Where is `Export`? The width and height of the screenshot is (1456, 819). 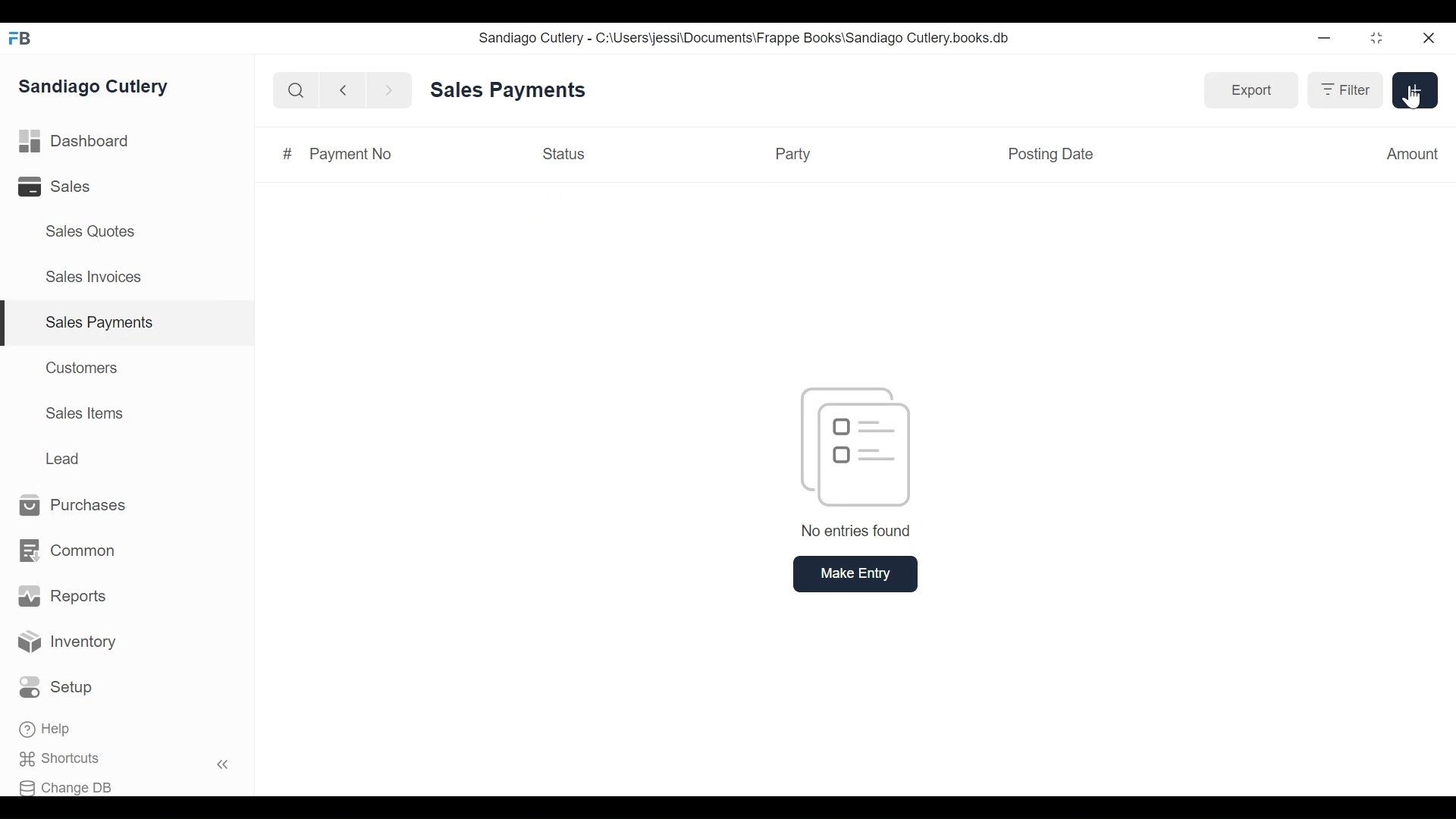 Export is located at coordinates (1251, 91).